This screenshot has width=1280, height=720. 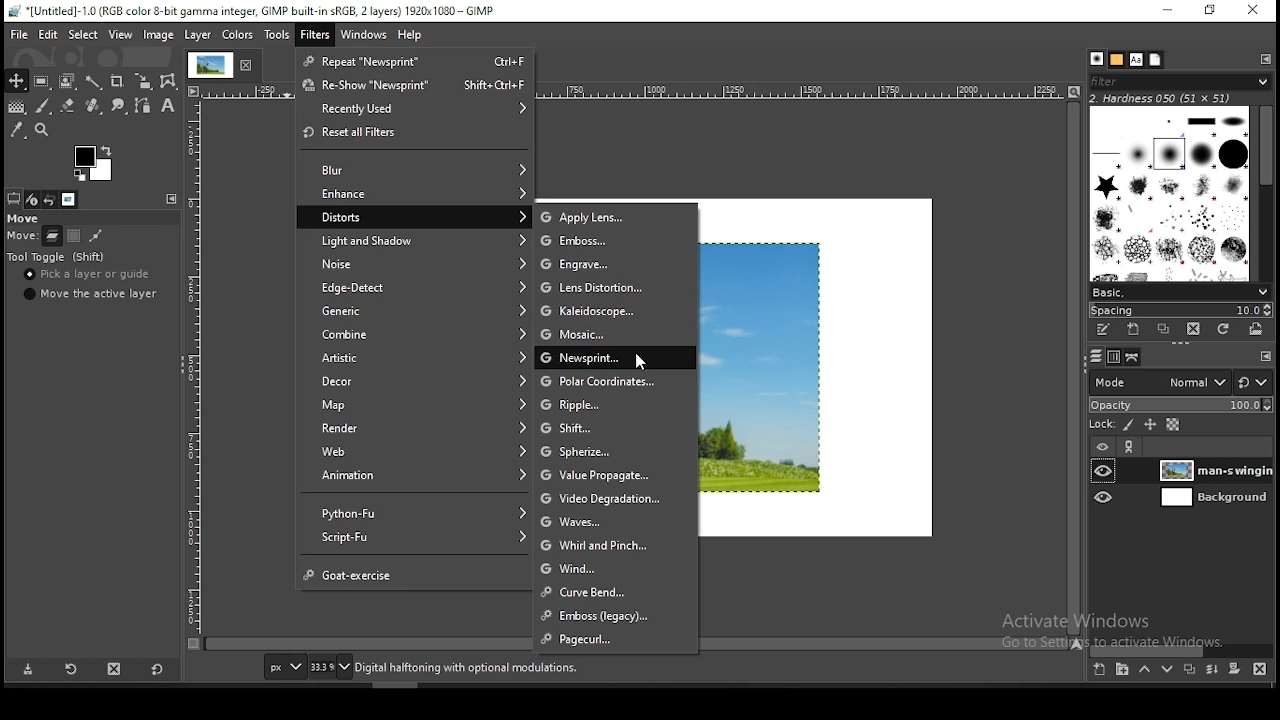 I want to click on brushes, so click(x=1169, y=193).